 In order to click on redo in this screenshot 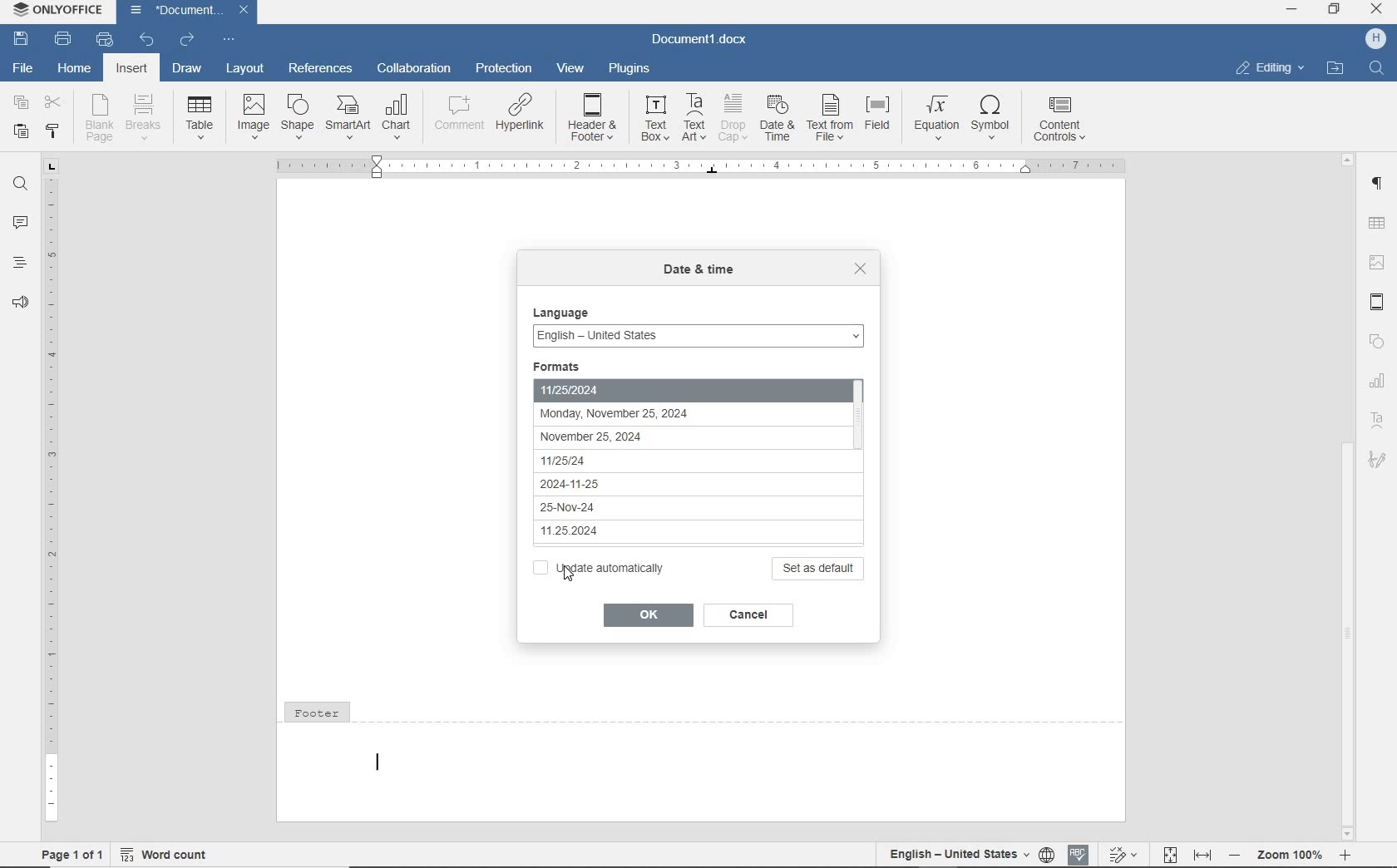, I will do `click(188, 40)`.